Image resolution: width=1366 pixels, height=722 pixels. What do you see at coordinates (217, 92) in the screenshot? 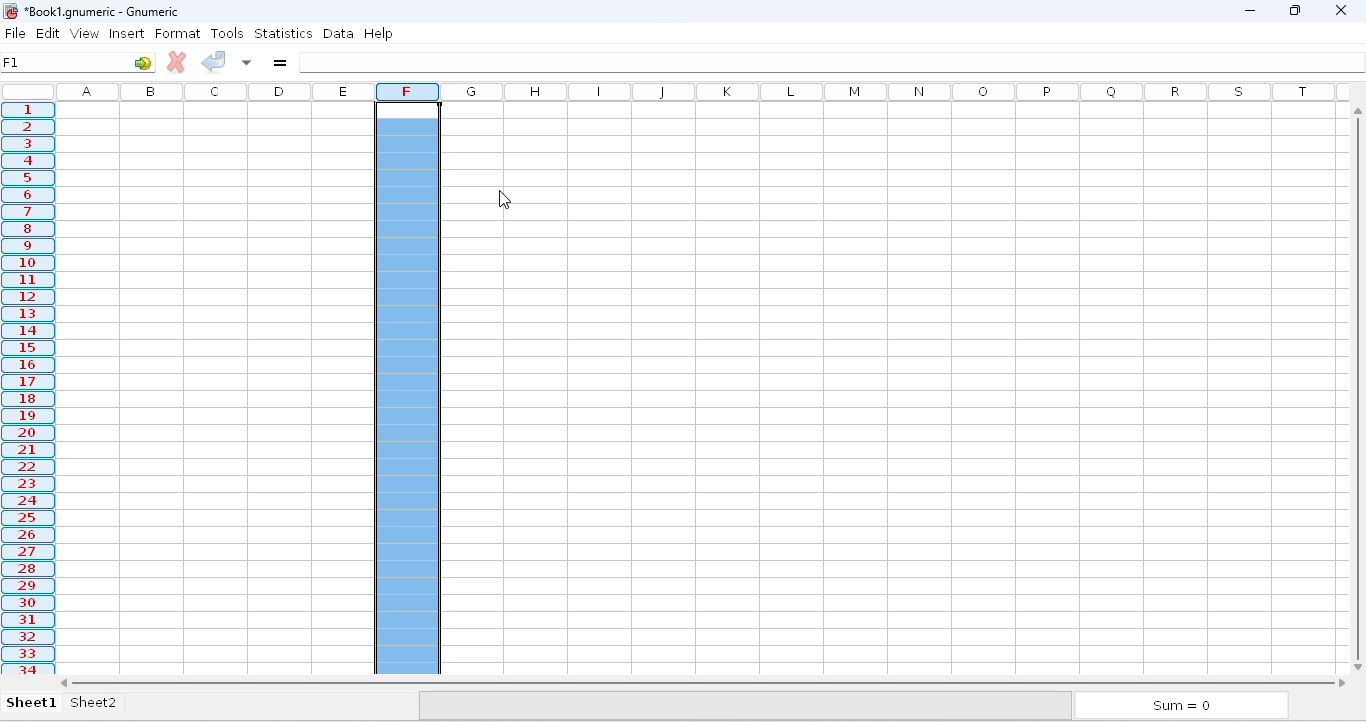
I see `columns` at bounding box center [217, 92].